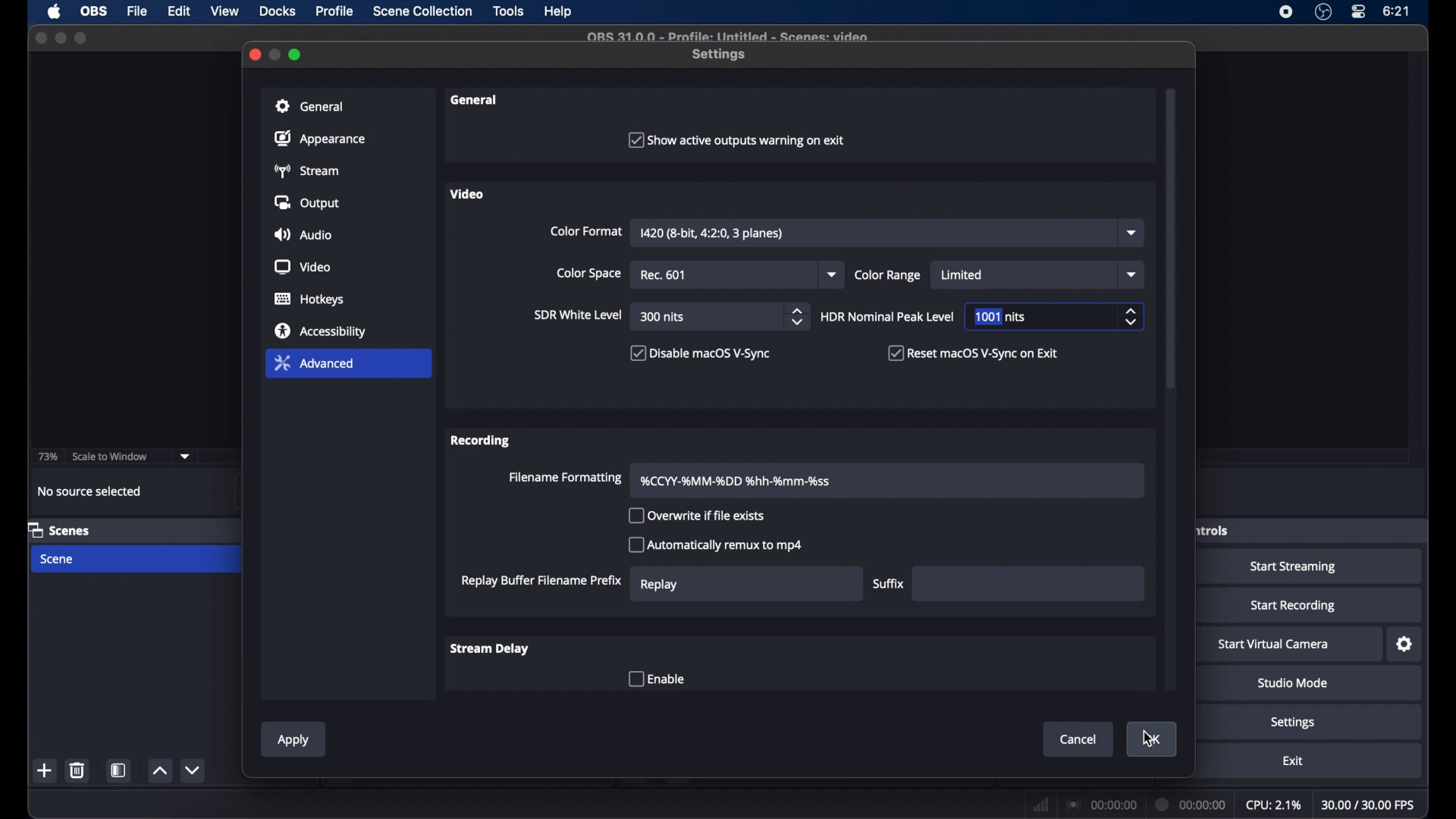 The width and height of the screenshot is (1456, 819). I want to click on time, so click(1397, 11).